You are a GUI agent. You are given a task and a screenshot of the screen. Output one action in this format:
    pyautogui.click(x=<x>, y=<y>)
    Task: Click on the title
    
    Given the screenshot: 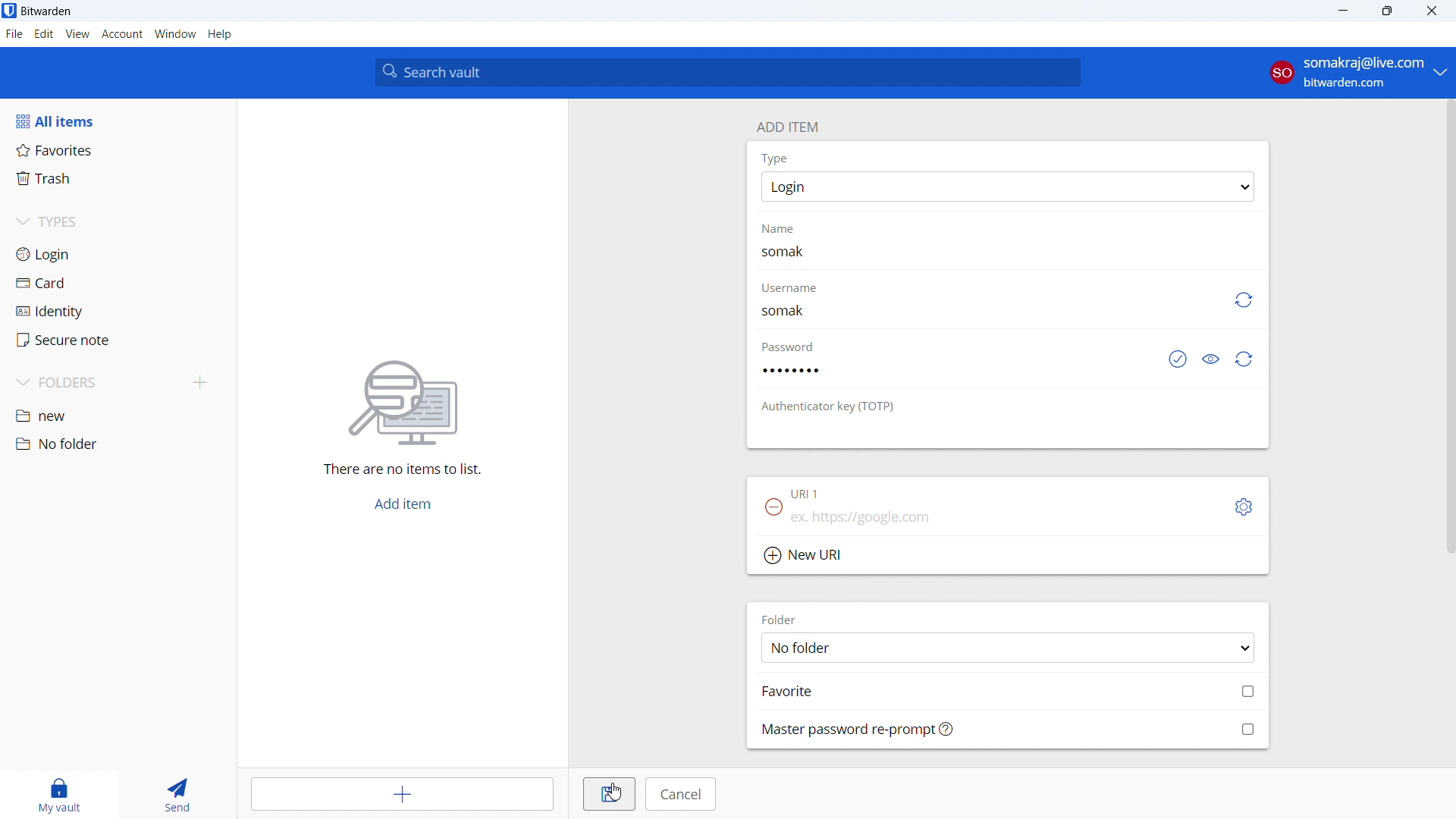 What is the action you would take?
    pyautogui.click(x=46, y=11)
    